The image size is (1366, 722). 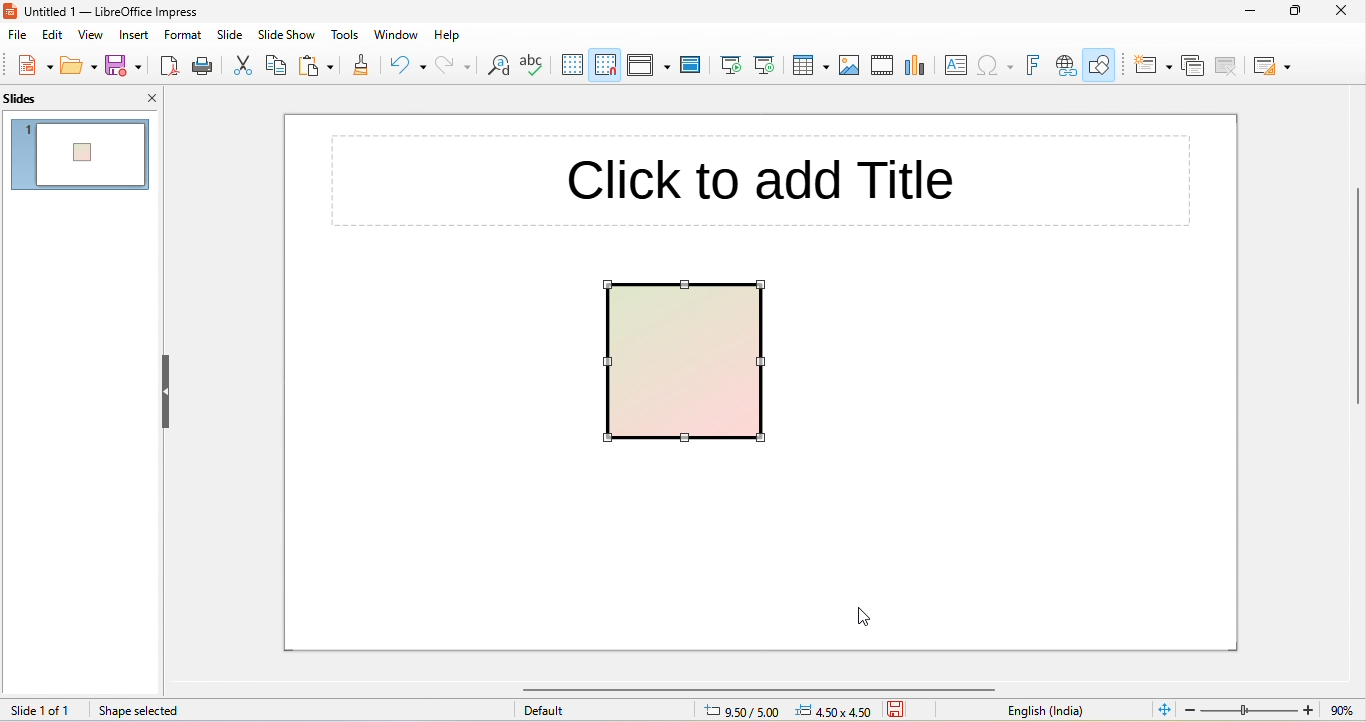 What do you see at coordinates (36, 67) in the screenshot?
I see `new` at bounding box center [36, 67].